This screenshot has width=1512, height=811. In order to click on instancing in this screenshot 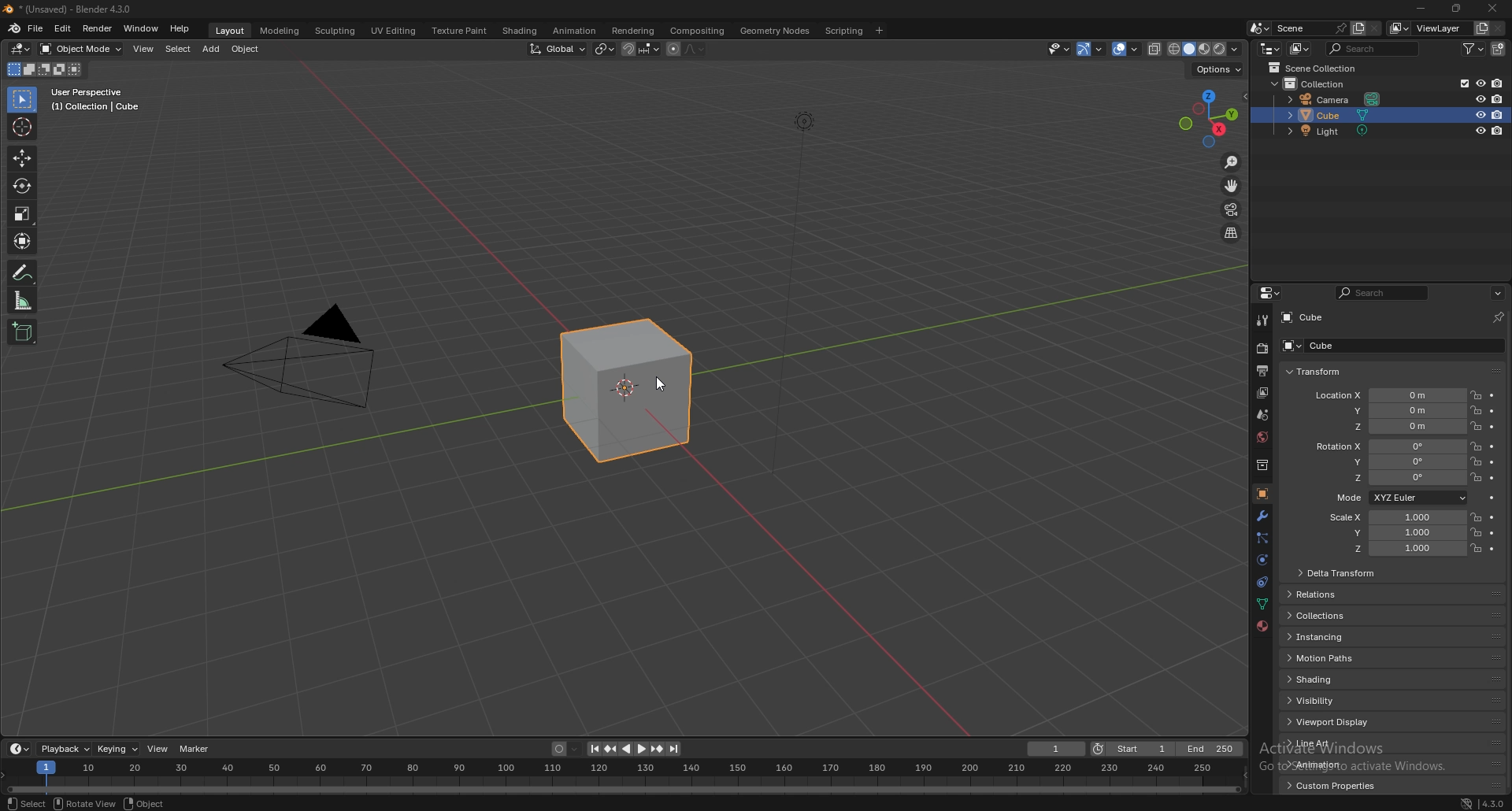, I will do `click(1337, 636)`.